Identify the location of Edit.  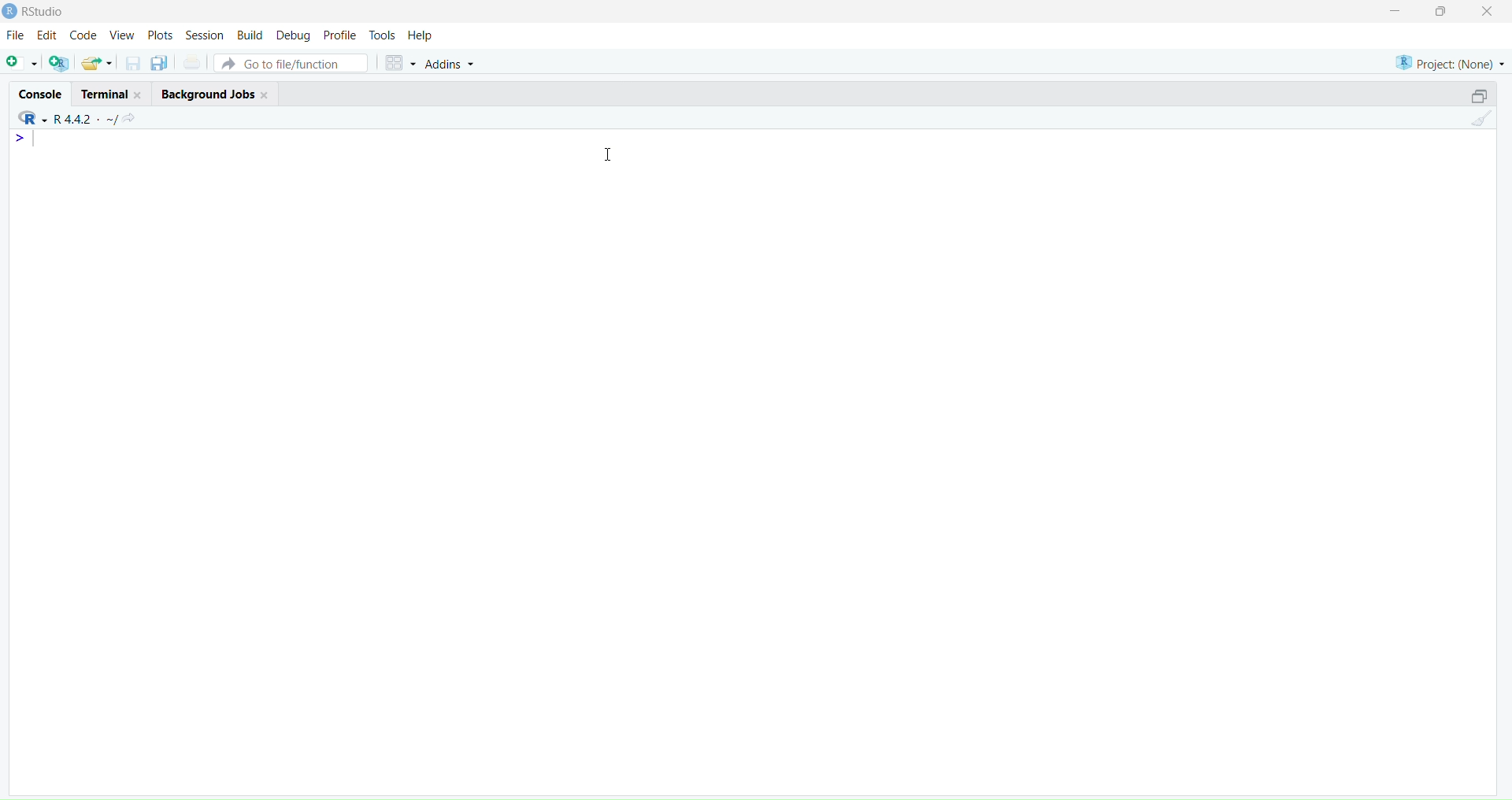
(46, 37).